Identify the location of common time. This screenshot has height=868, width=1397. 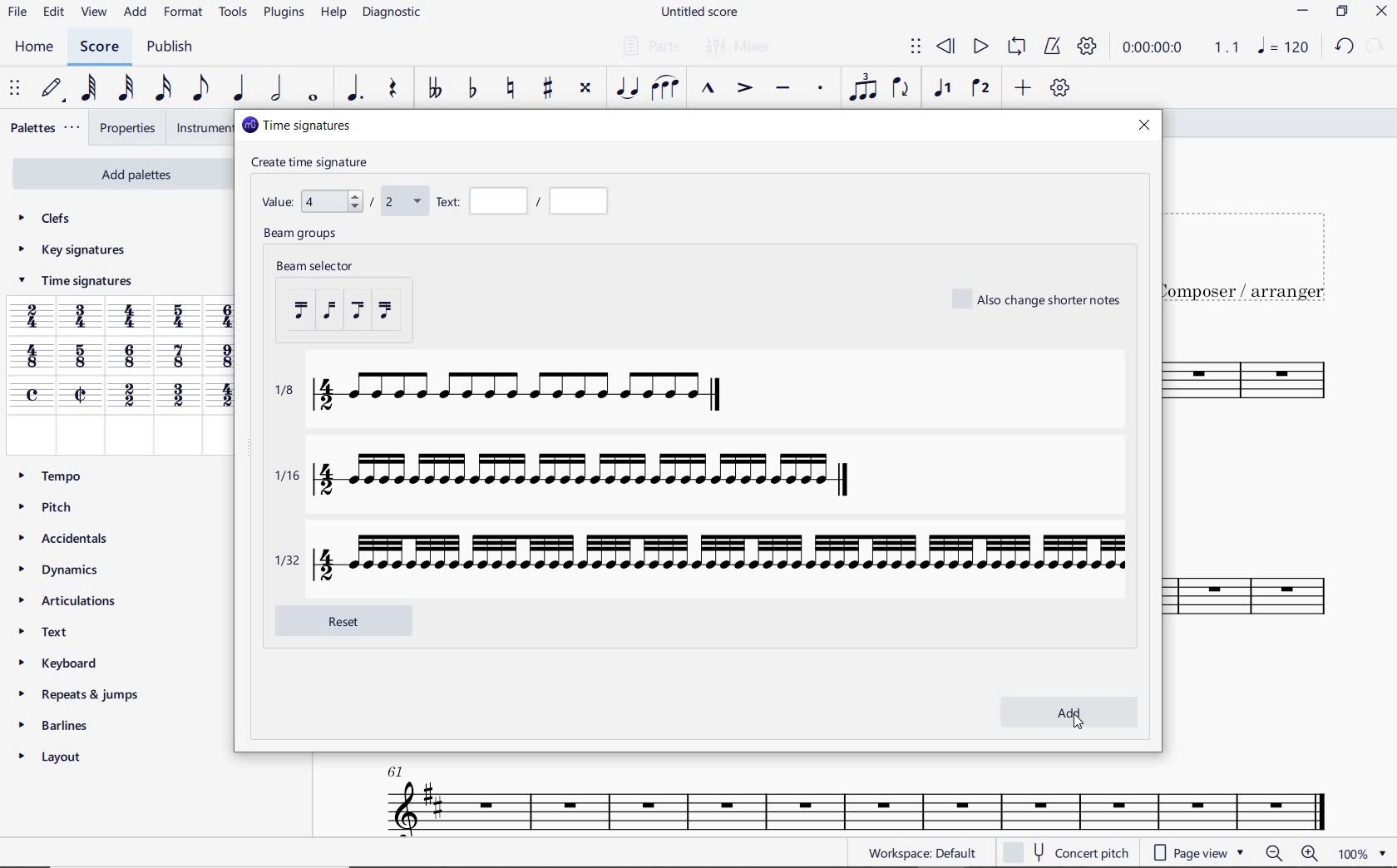
(33, 395).